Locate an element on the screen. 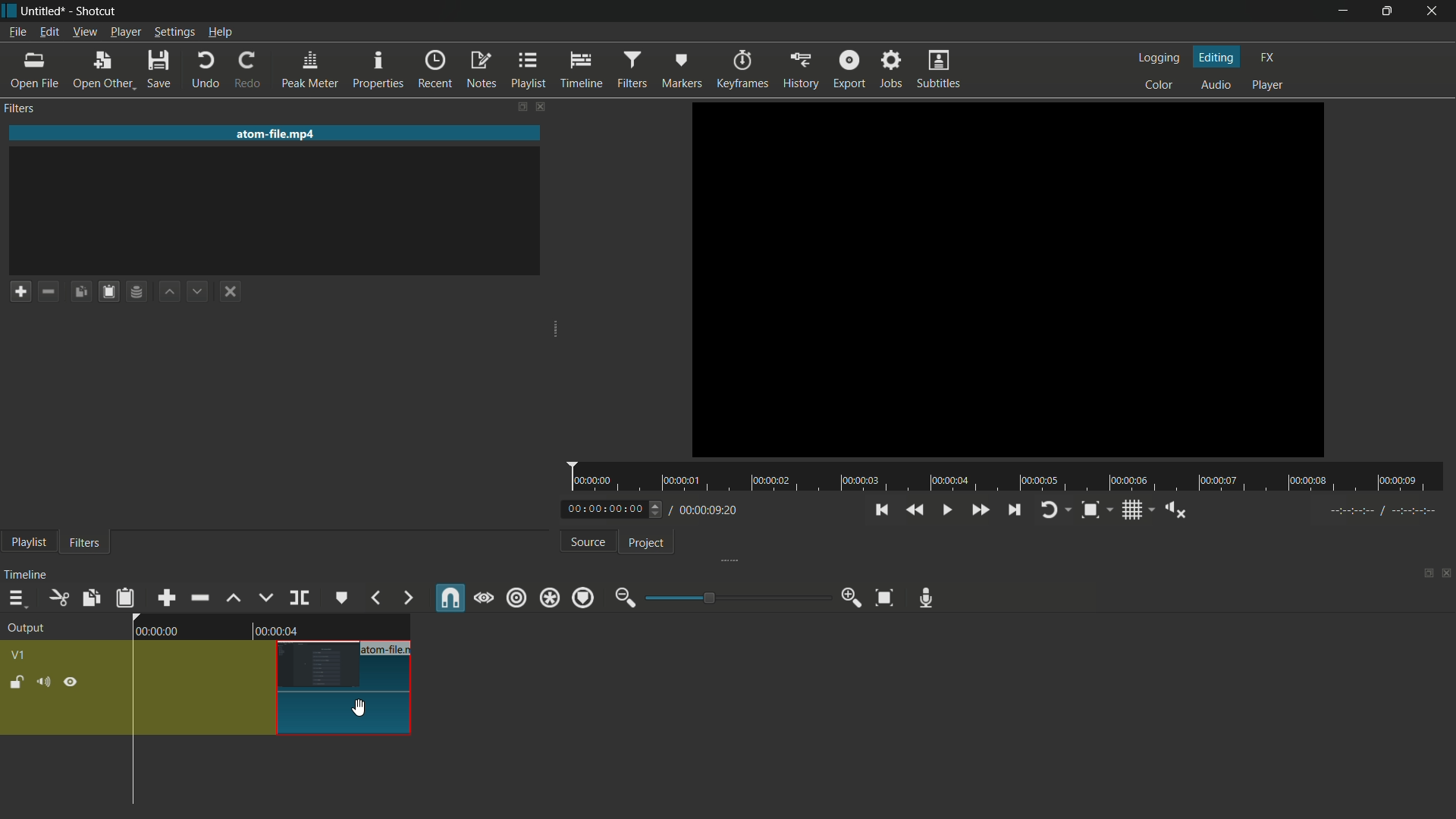 This screenshot has height=819, width=1456. audio is located at coordinates (1217, 86).